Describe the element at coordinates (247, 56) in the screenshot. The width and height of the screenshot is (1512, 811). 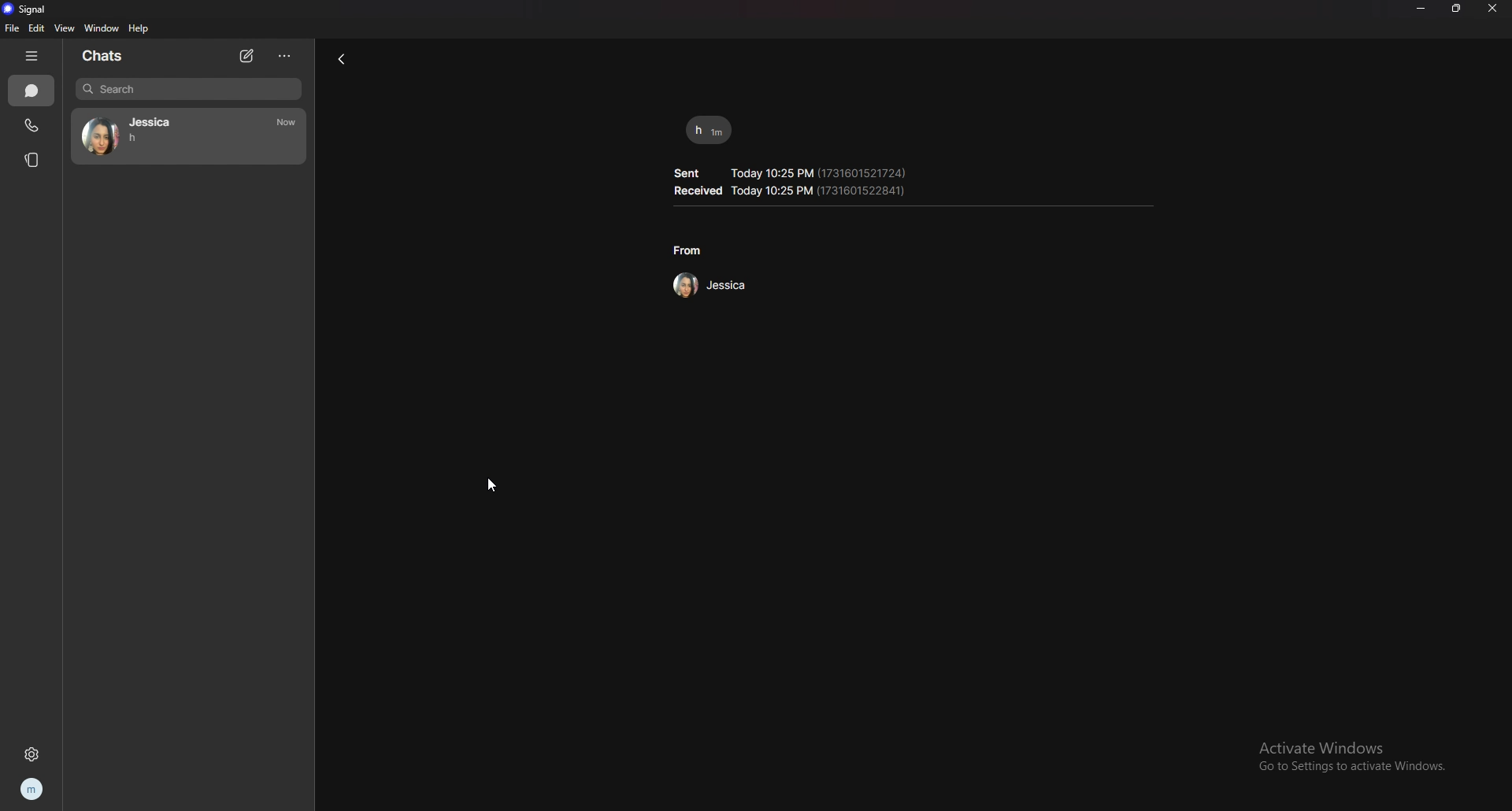
I see `new chat` at that location.